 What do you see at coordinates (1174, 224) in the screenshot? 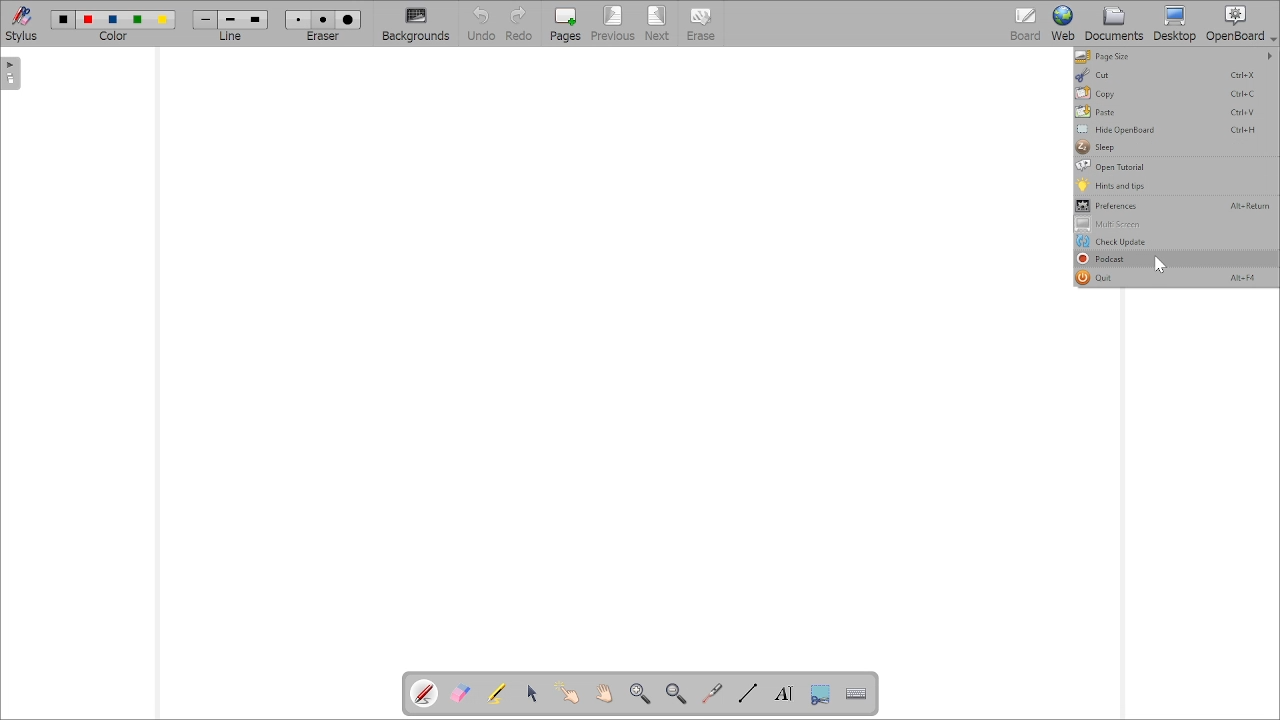
I see `Multiscreen` at bounding box center [1174, 224].